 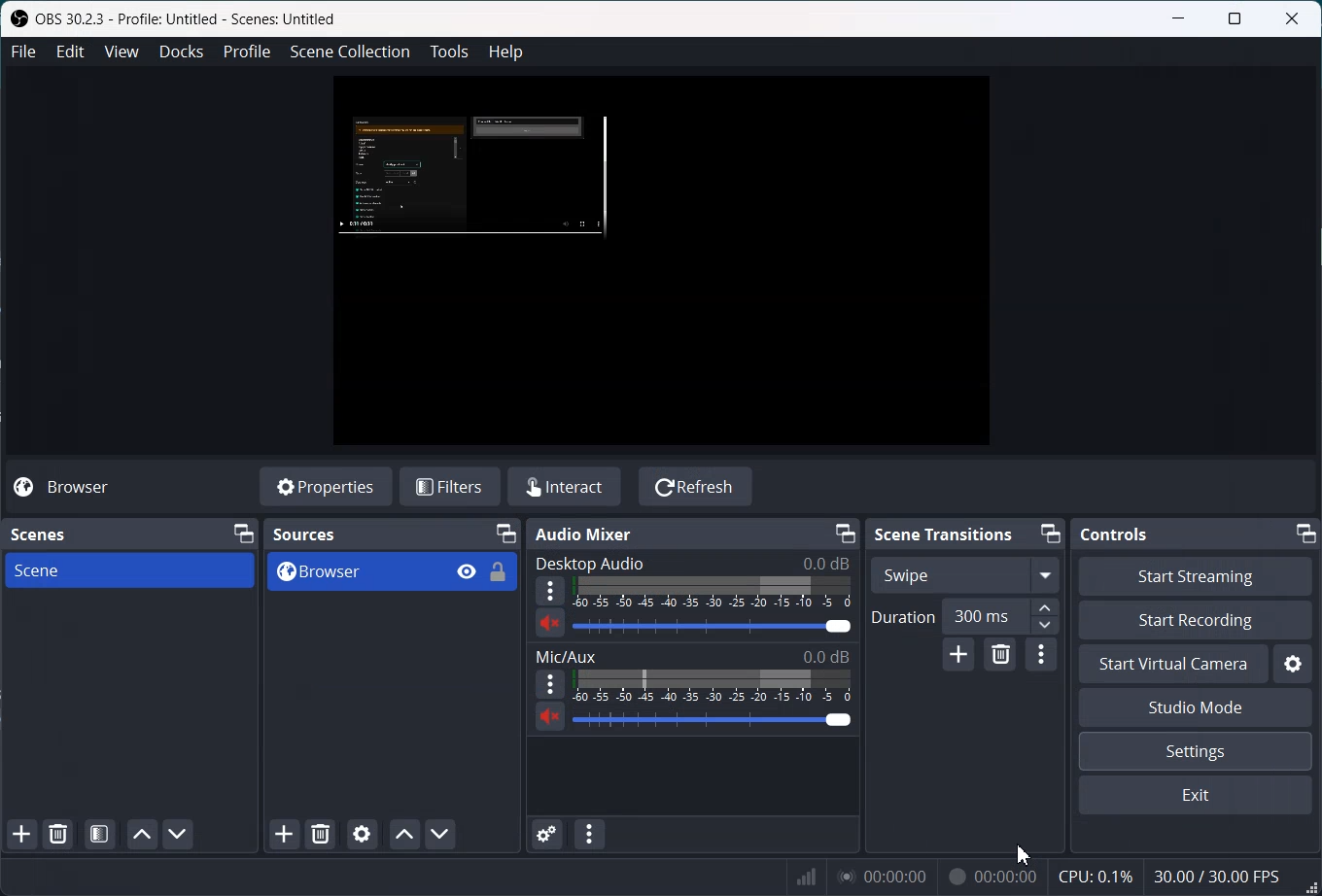 What do you see at coordinates (550, 717) in the screenshot?
I see `Mute/ Unmute` at bounding box center [550, 717].